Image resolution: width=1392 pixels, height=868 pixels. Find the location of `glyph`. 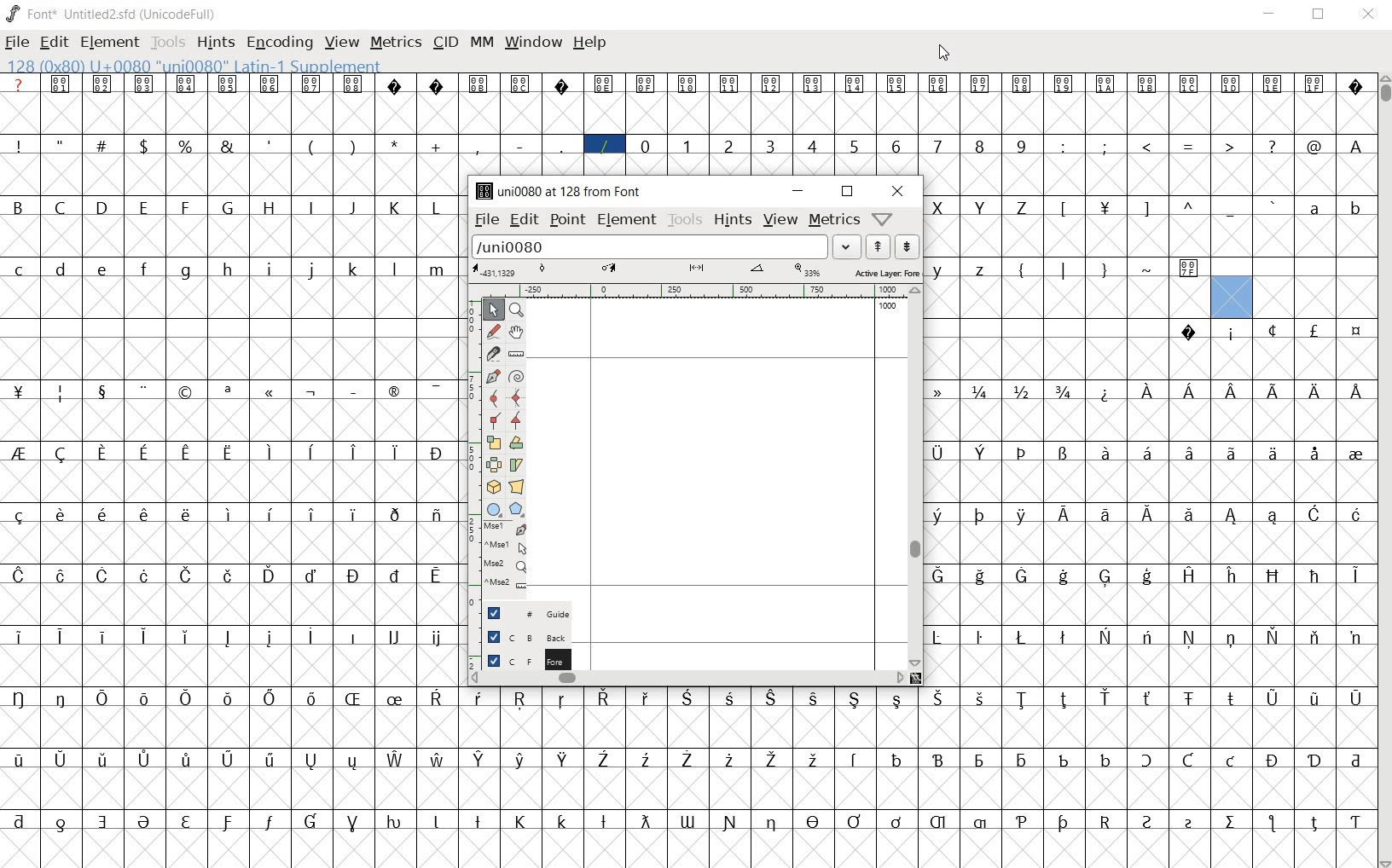

glyph is located at coordinates (1149, 269).